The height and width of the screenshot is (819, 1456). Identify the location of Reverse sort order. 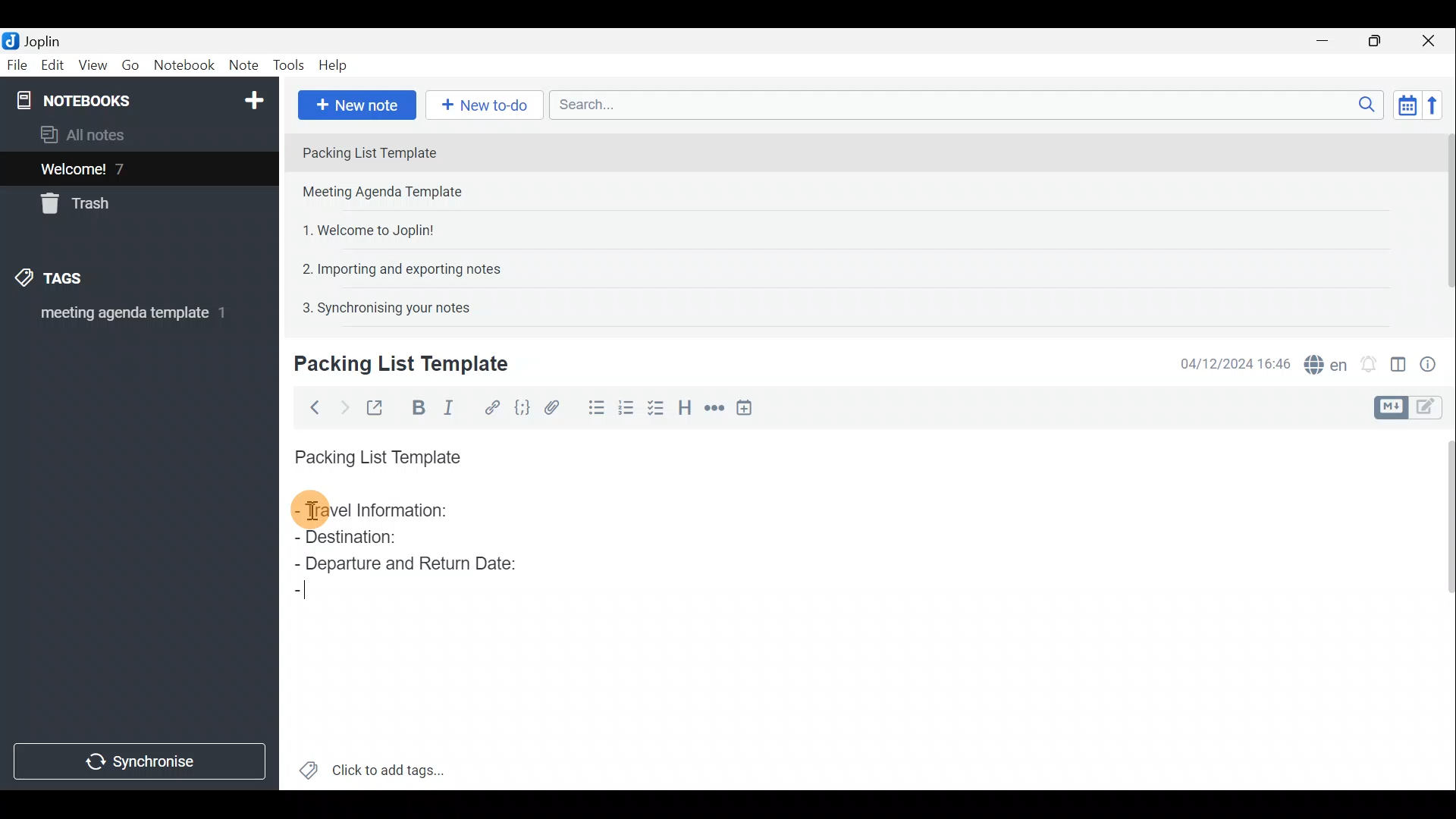
(1438, 104).